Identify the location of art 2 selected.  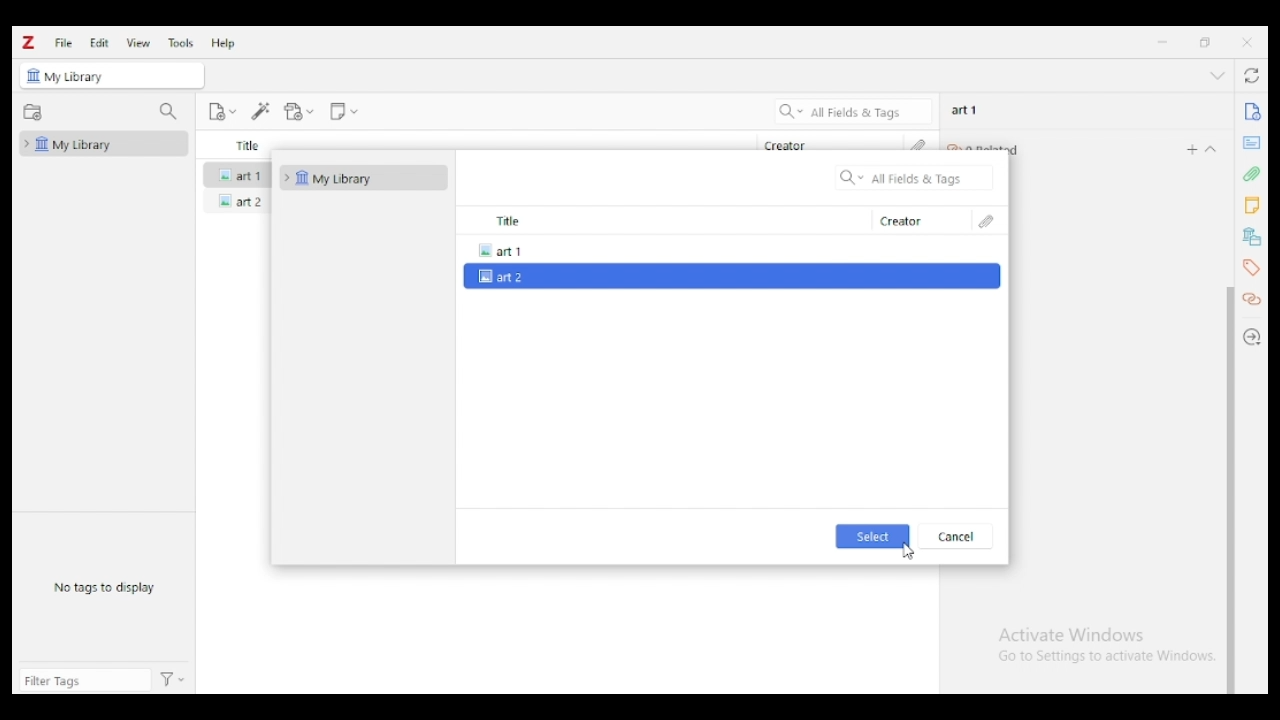
(730, 277).